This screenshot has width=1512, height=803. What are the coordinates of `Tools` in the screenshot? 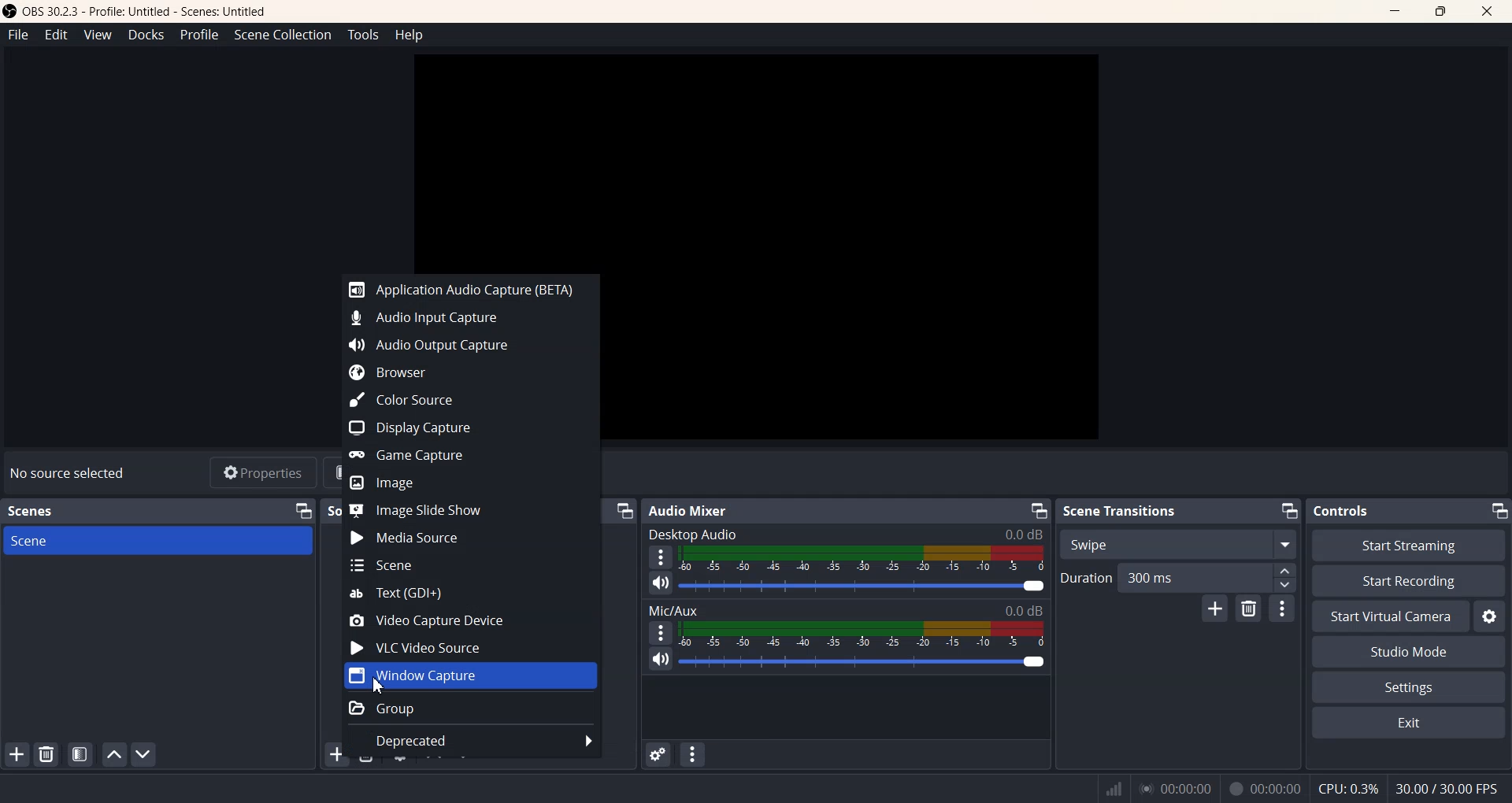 It's located at (364, 35).